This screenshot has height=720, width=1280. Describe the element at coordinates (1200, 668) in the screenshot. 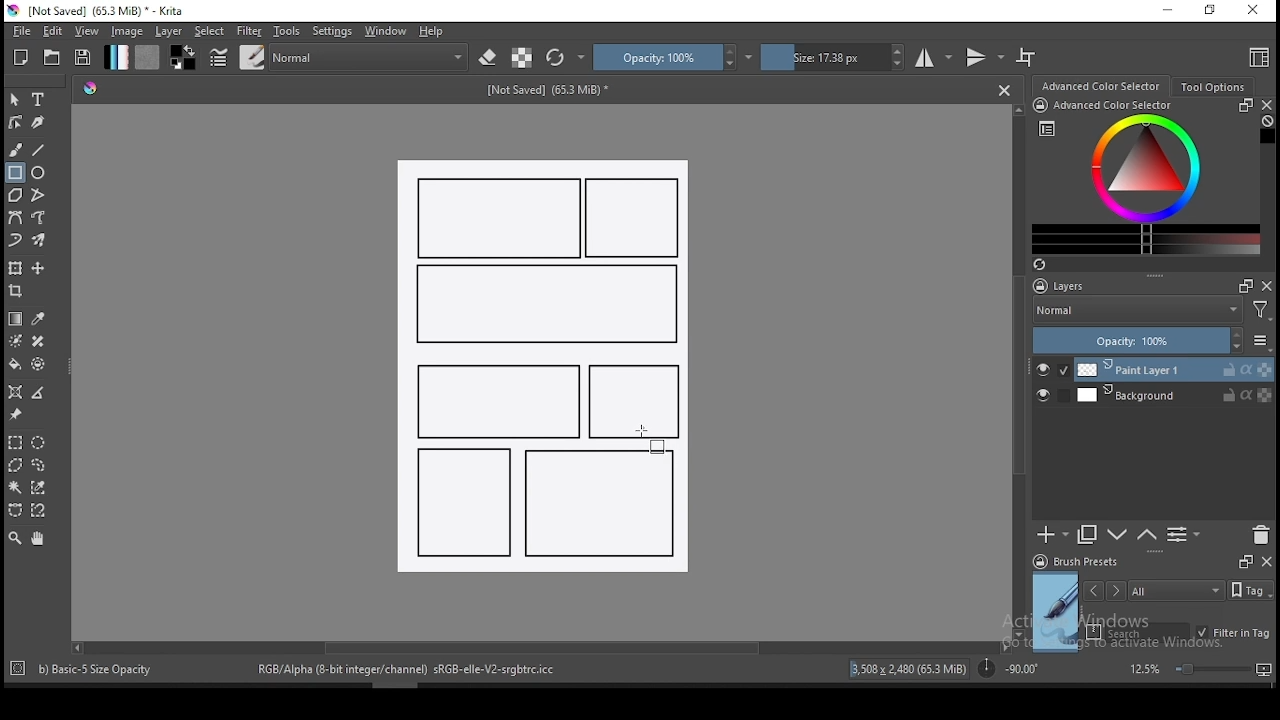

I see `zoom level` at that location.